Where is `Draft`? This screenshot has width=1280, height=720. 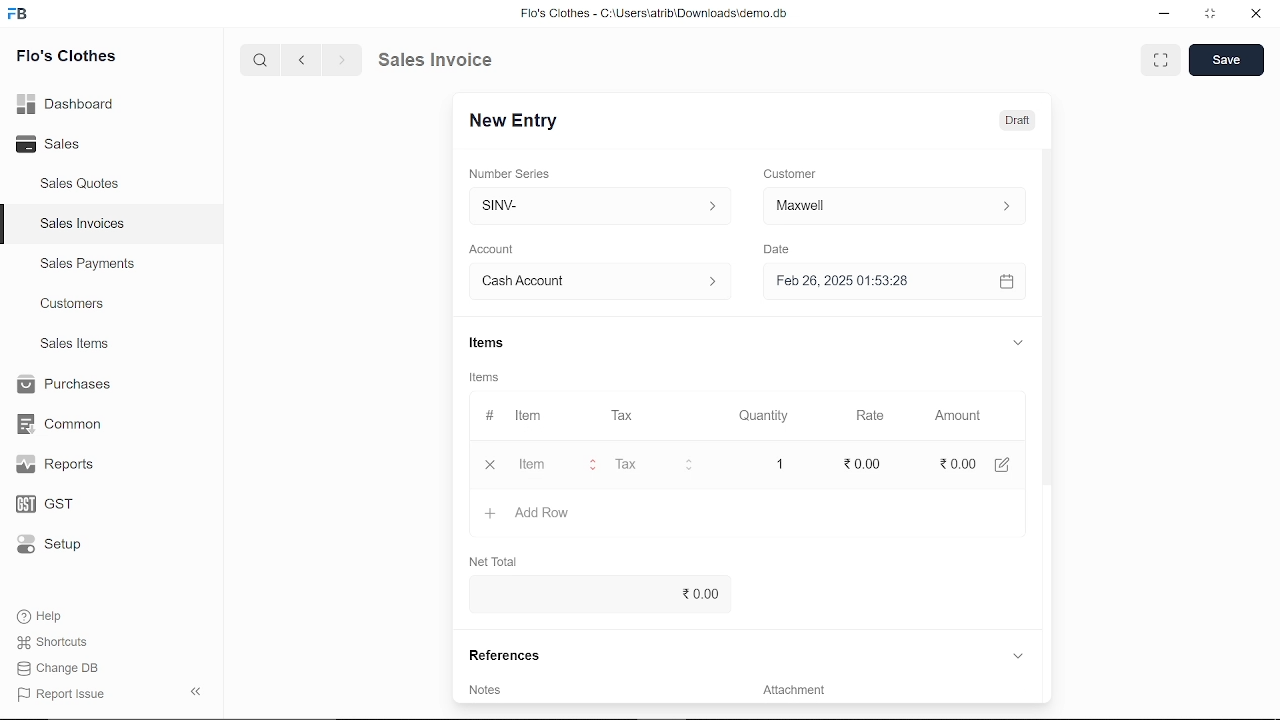 Draft is located at coordinates (1006, 119).